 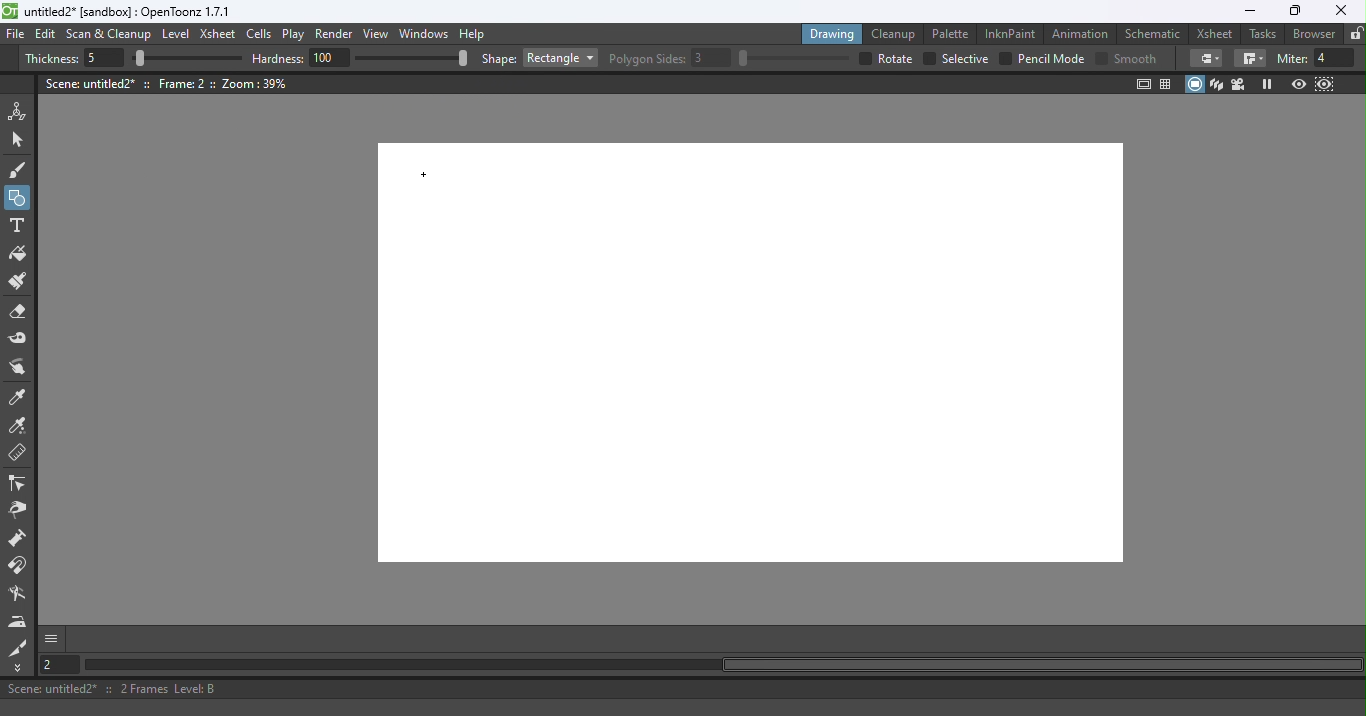 What do you see at coordinates (1292, 12) in the screenshot?
I see `Maximize` at bounding box center [1292, 12].